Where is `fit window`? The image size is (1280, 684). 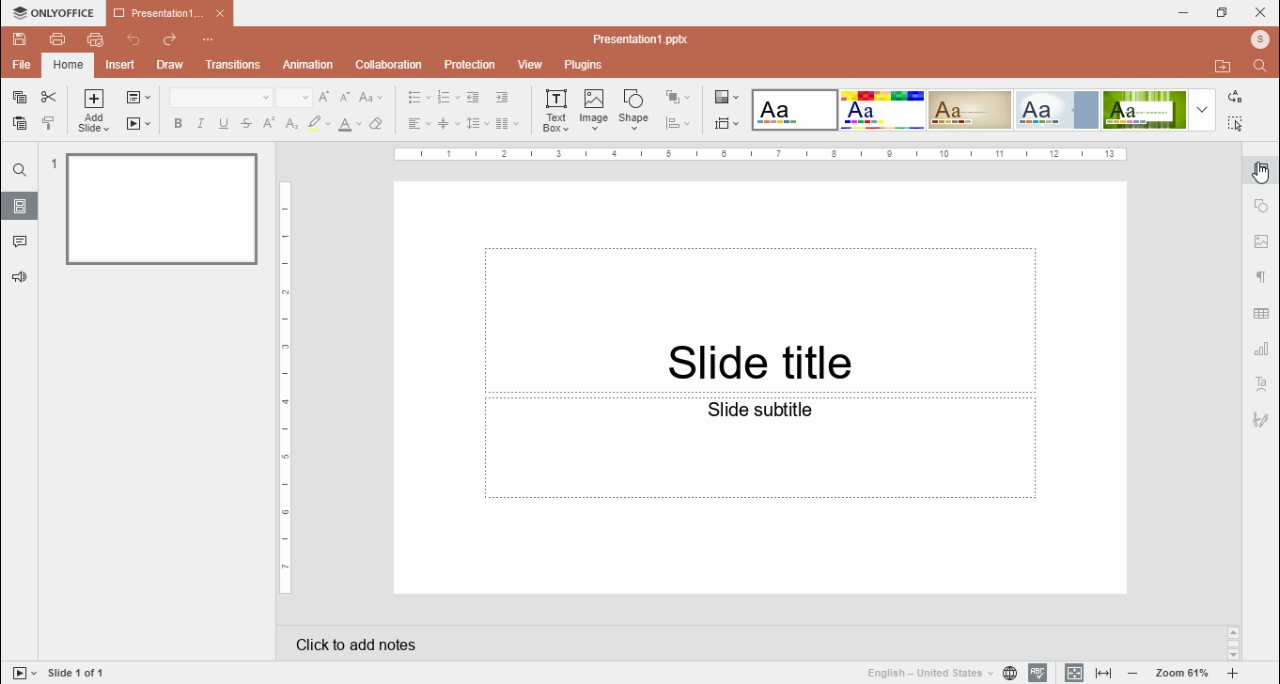 fit window is located at coordinates (1074, 674).